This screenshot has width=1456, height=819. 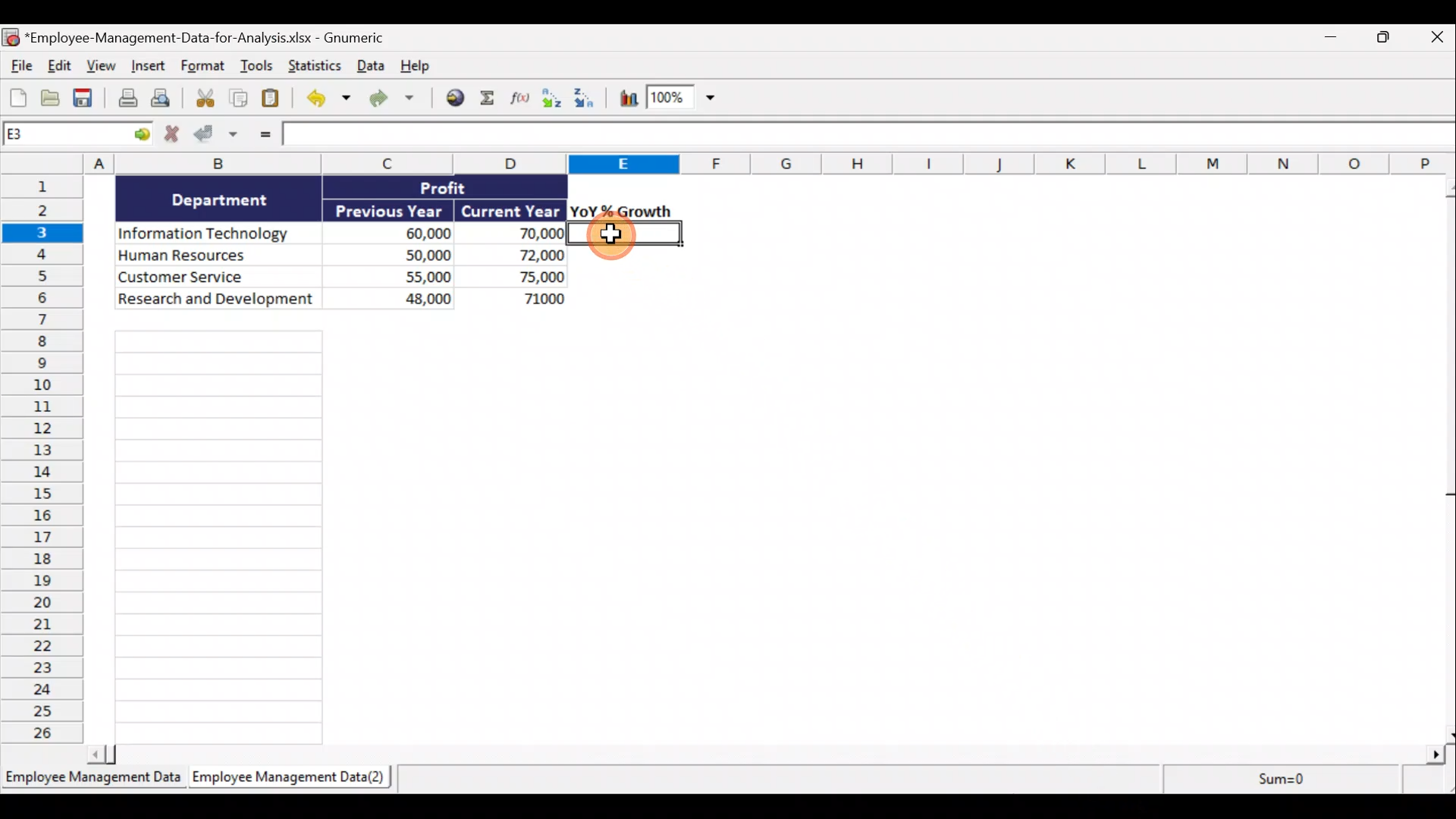 I want to click on Data, so click(x=338, y=242).